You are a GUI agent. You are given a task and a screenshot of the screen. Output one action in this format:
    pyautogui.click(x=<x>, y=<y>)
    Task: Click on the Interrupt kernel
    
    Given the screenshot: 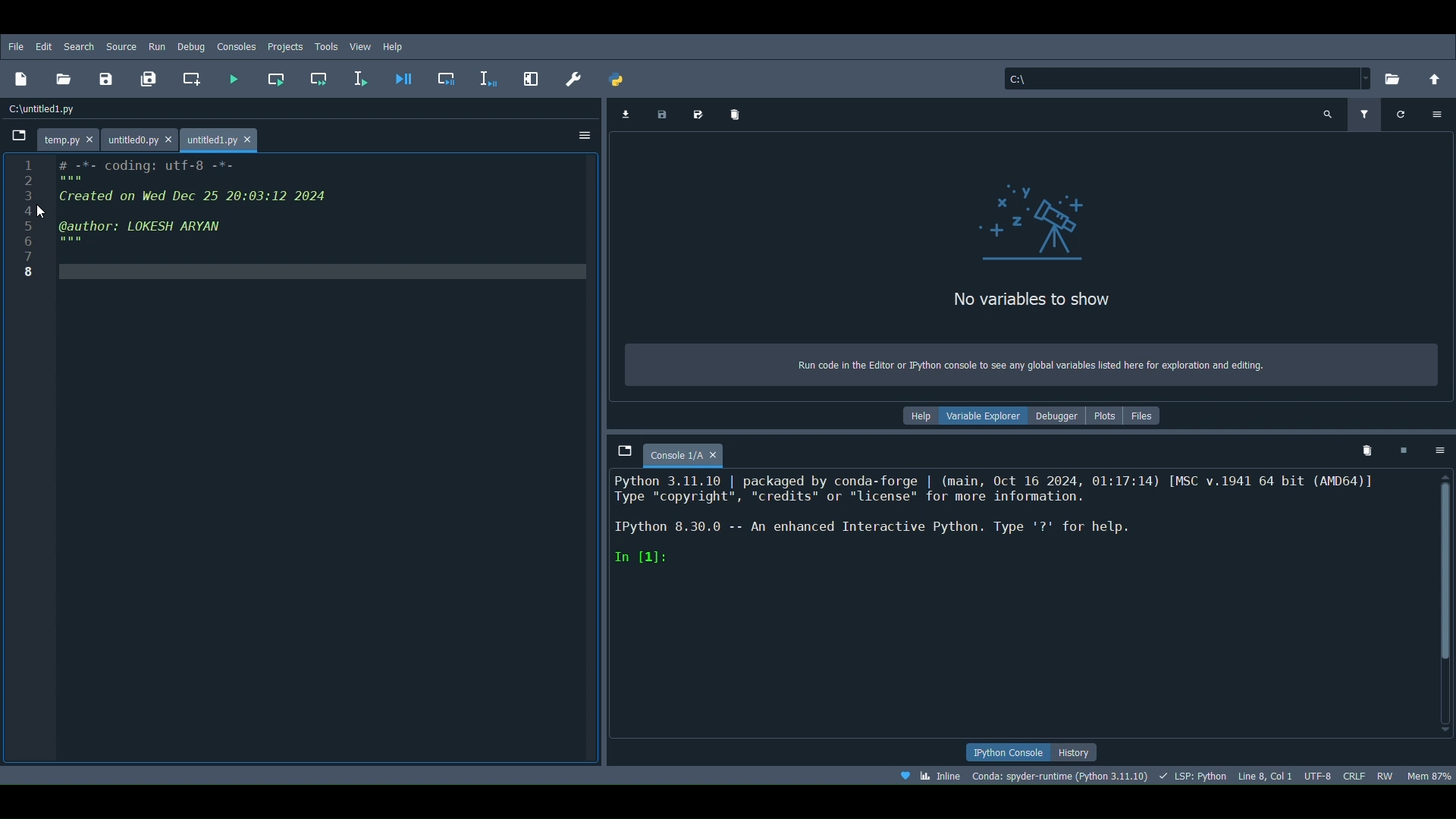 What is the action you would take?
    pyautogui.click(x=1403, y=447)
    